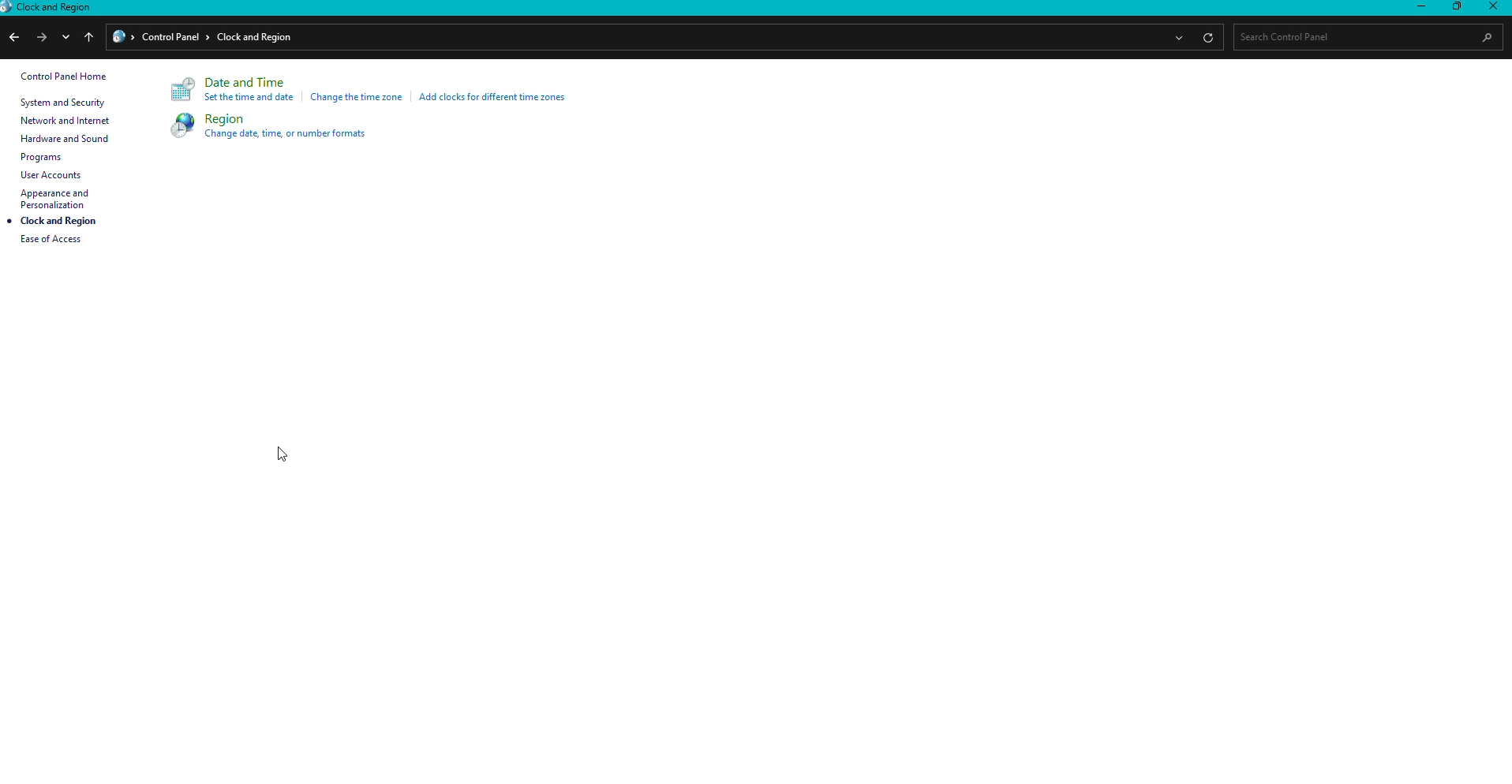  I want to click on Change time zone, so click(357, 98).